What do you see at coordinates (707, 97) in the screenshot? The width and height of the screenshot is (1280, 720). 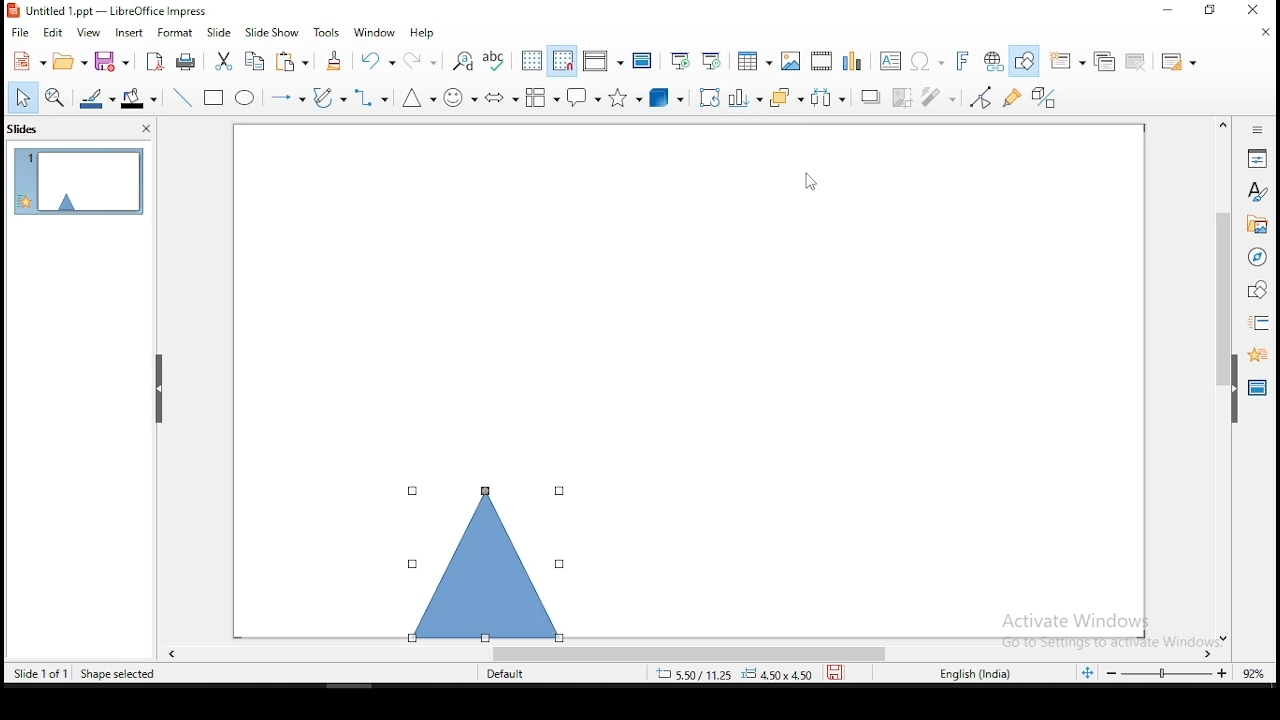 I see `crop tool` at bounding box center [707, 97].